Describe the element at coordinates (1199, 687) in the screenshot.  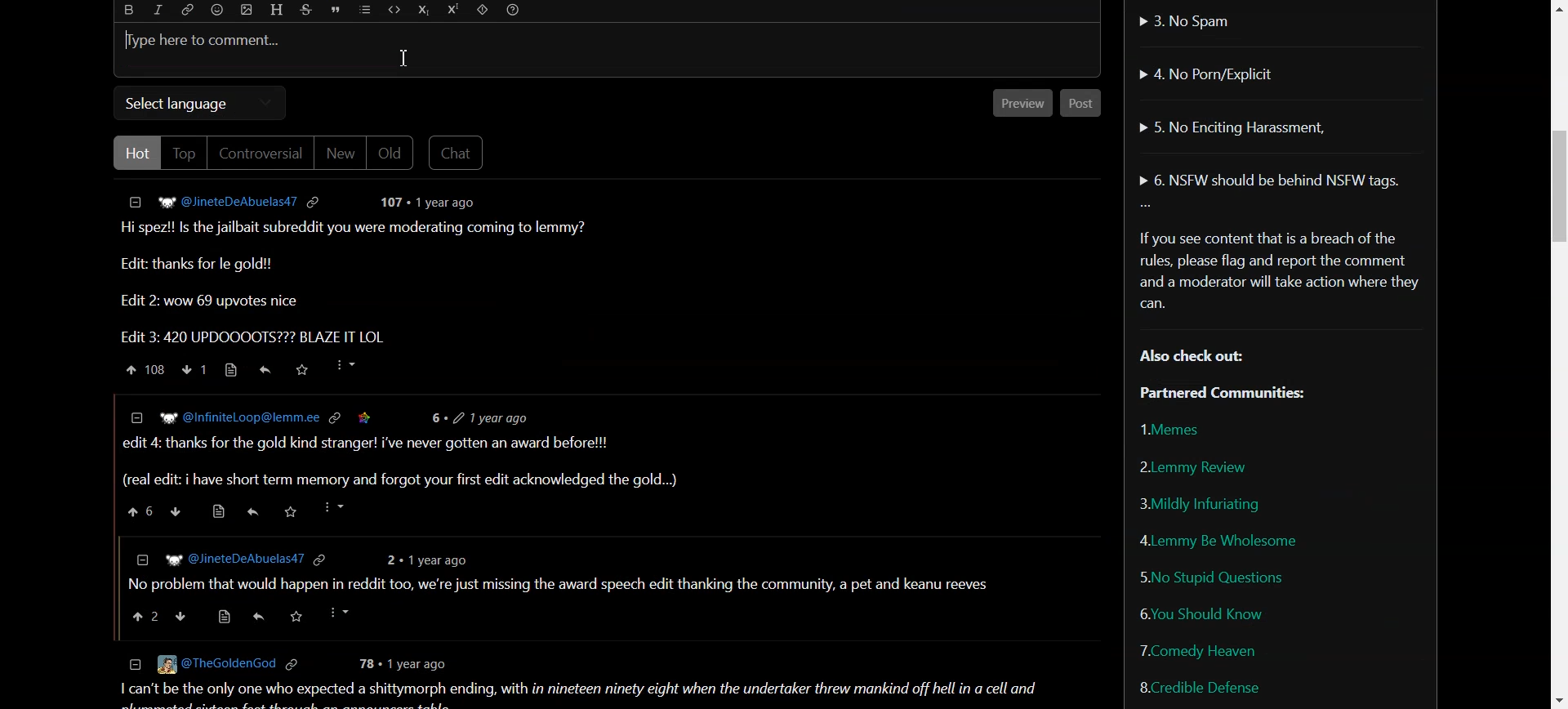
I see `Credible Defense` at that location.